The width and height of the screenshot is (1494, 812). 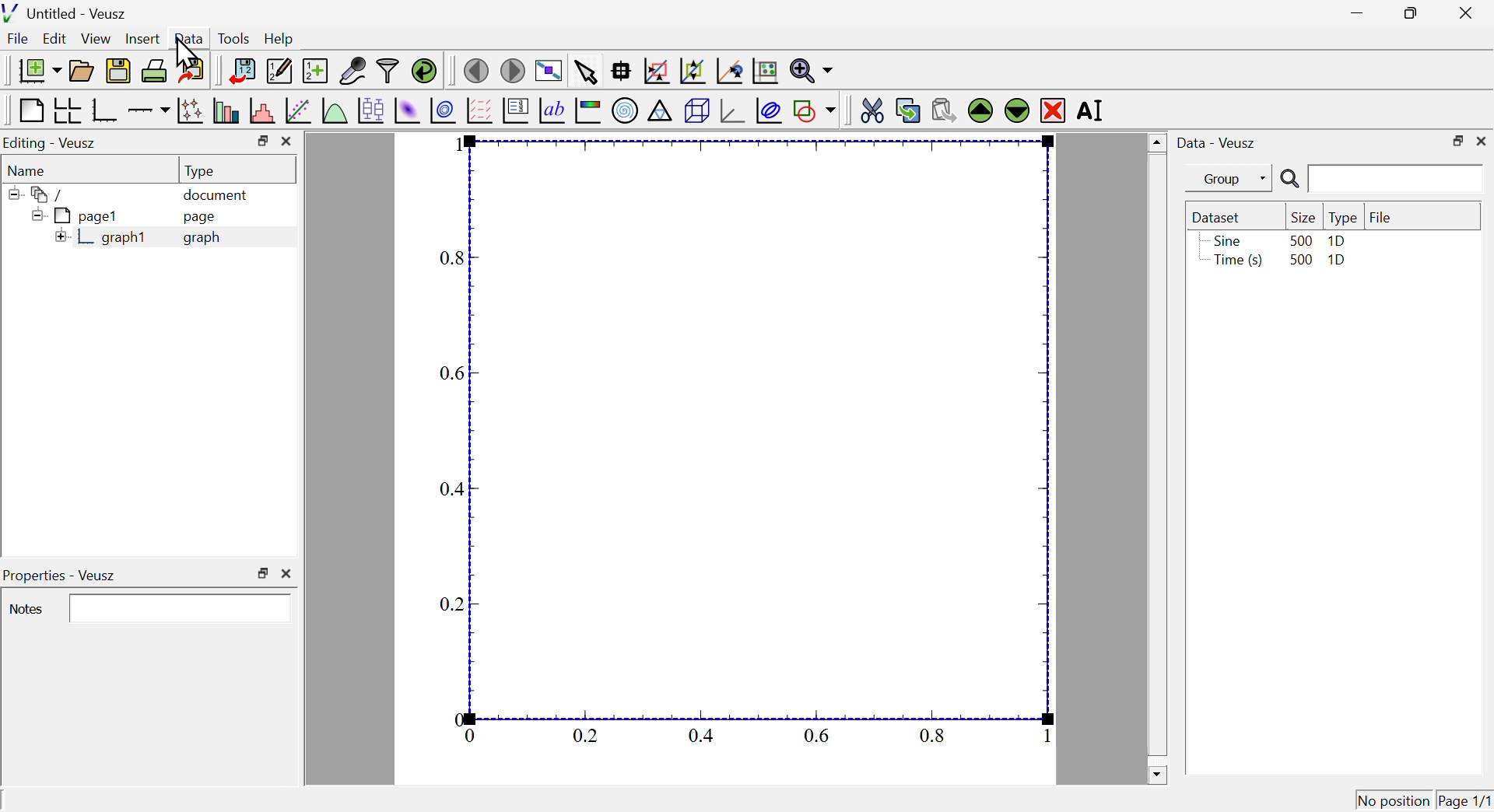 What do you see at coordinates (1221, 179) in the screenshot?
I see `group` at bounding box center [1221, 179].